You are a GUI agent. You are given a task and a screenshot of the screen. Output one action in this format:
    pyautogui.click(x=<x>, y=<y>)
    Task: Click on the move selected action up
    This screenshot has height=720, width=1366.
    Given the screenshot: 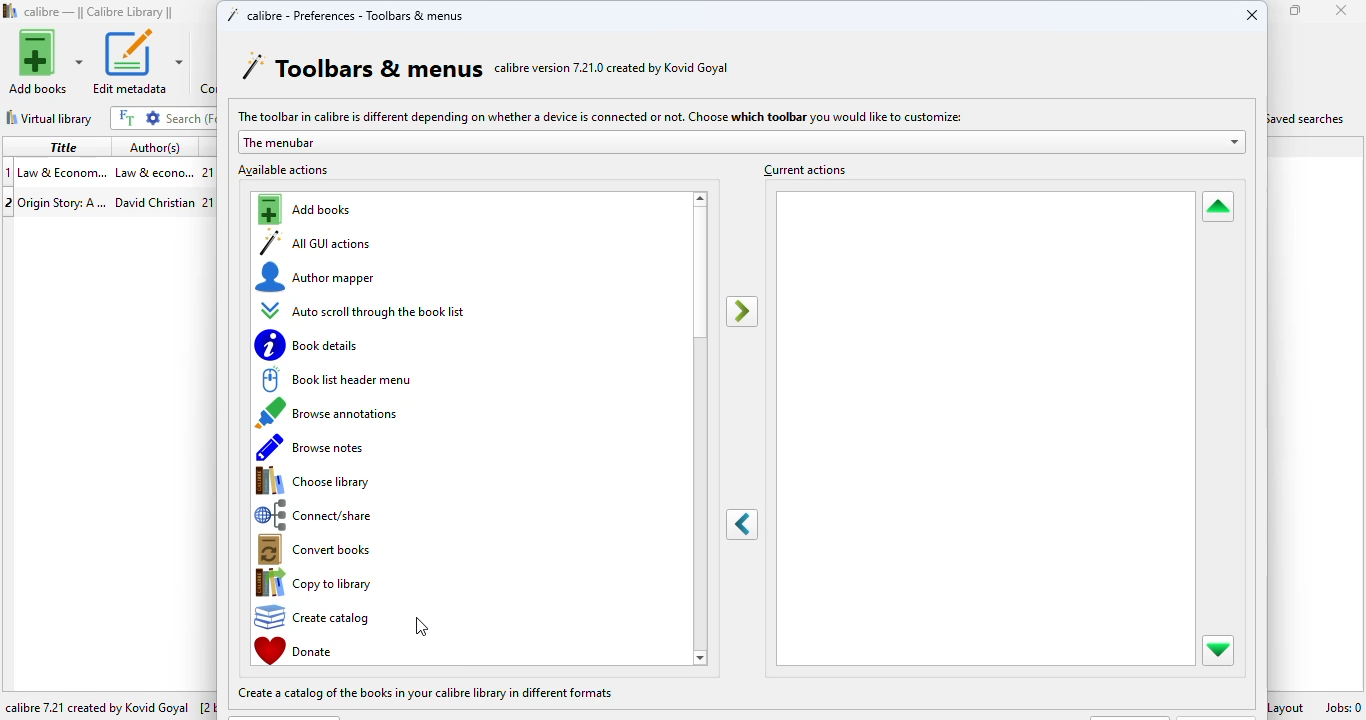 What is the action you would take?
    pyautogui.click(x=1217, y=208)
    